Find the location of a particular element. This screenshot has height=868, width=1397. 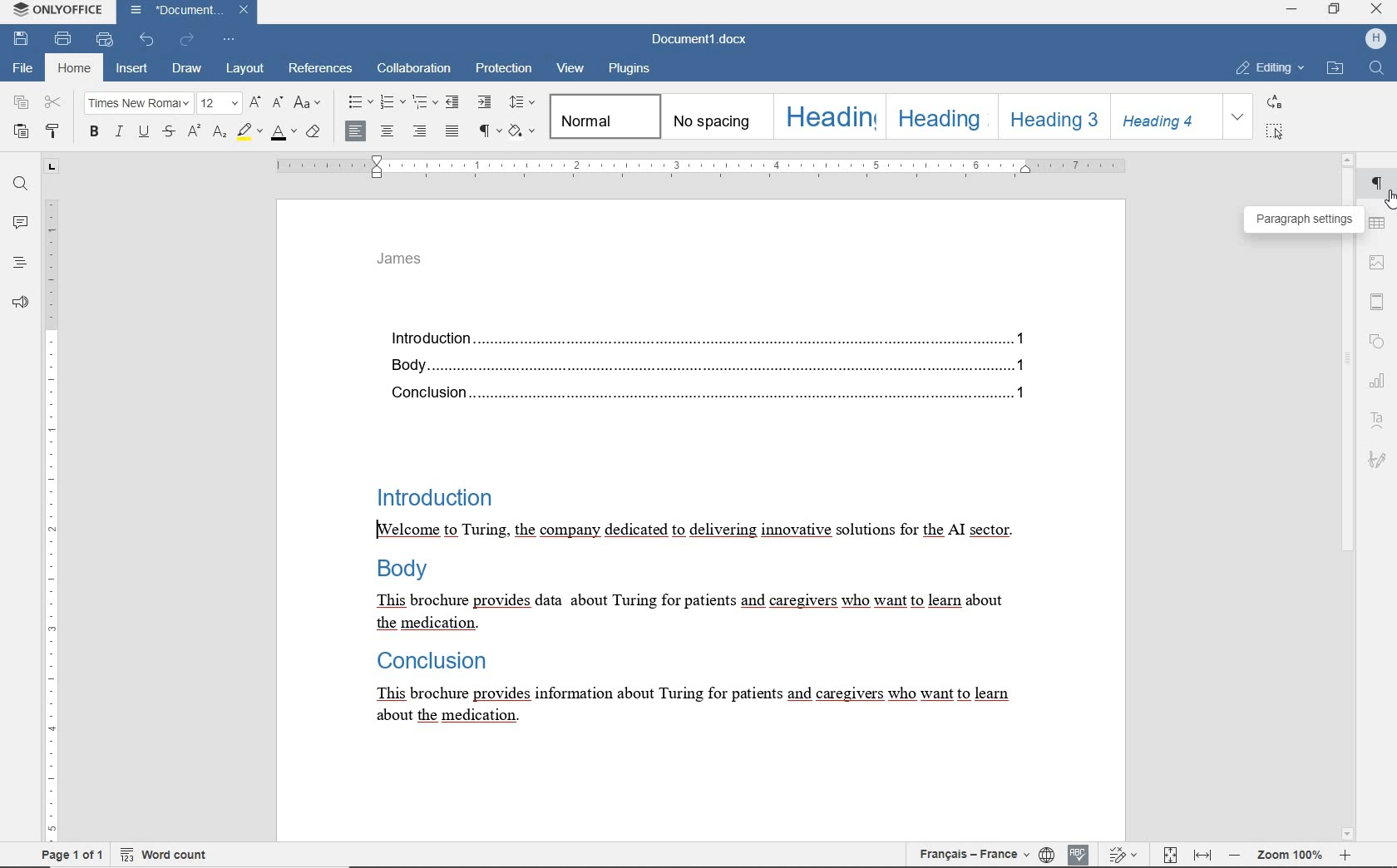

[Welcome to Turing, the company dedicated to delivering innovative solutions for the AI sector. is located at coordinates (691, 530).